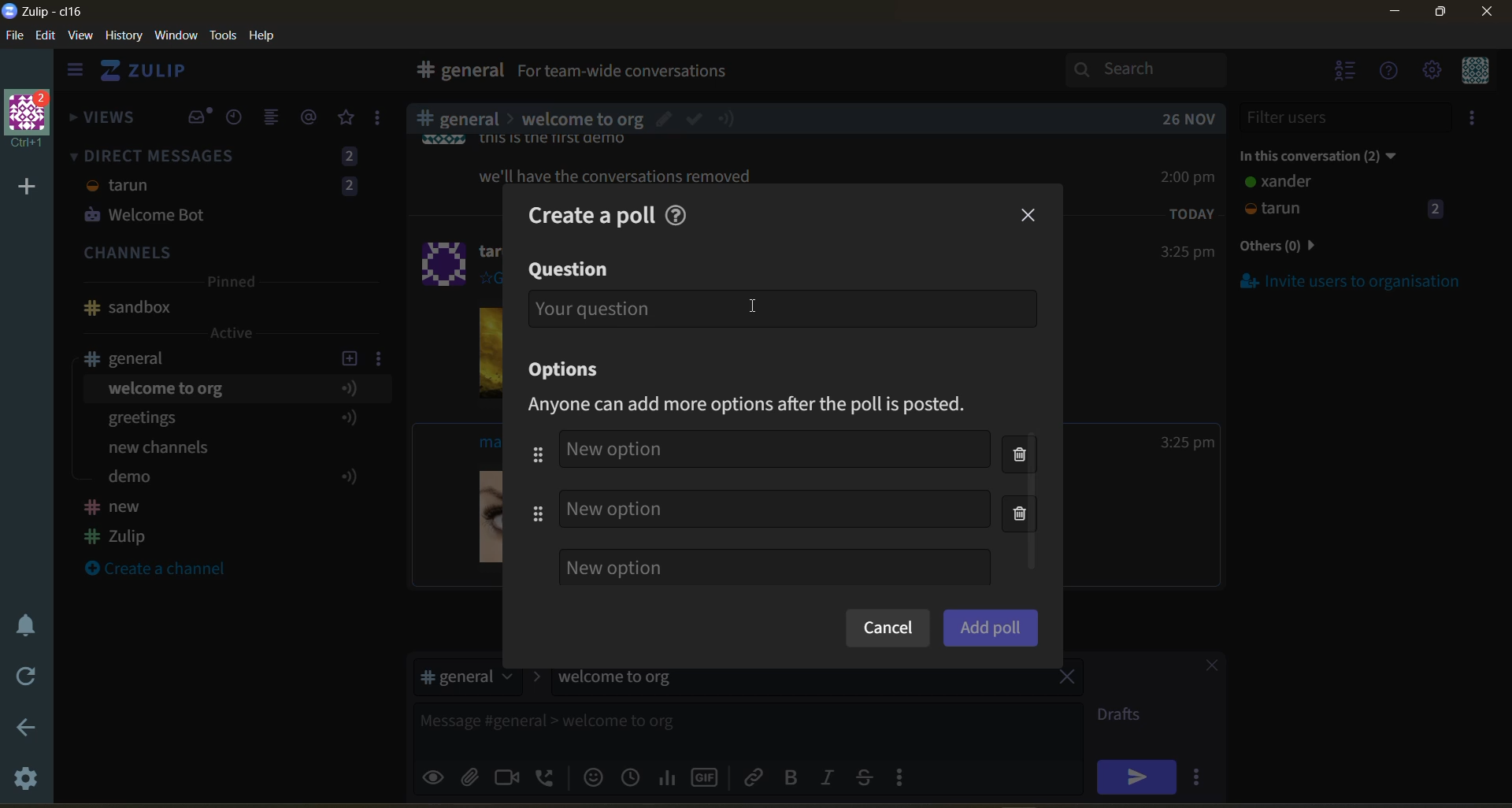 This screenshot has width=1512, height=808. I want to click on views, so click(103, 122).